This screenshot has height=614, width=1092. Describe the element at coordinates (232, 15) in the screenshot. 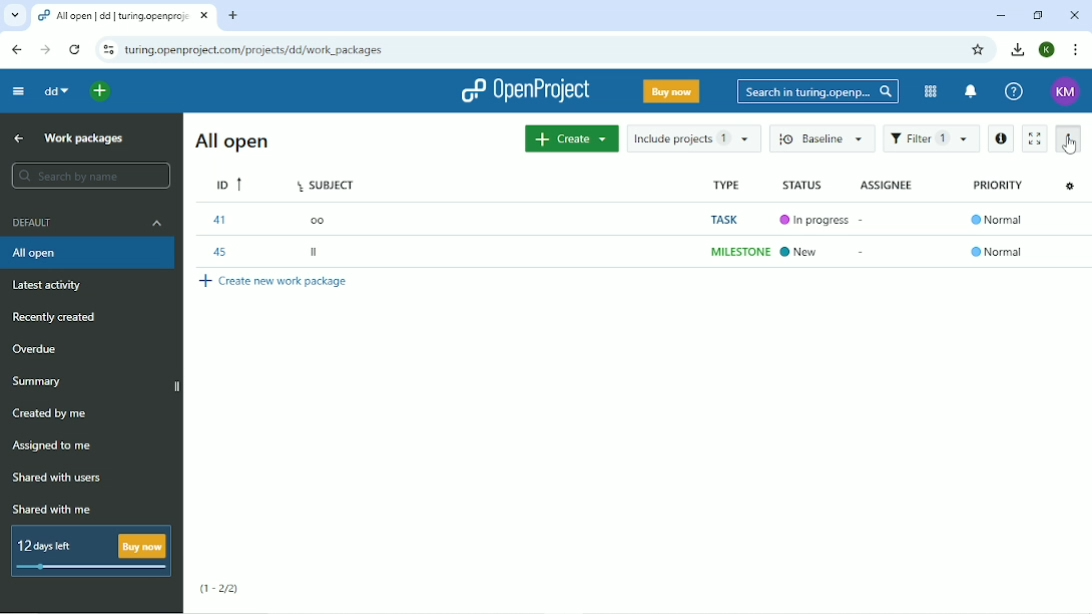

I see `New tab` at that location.